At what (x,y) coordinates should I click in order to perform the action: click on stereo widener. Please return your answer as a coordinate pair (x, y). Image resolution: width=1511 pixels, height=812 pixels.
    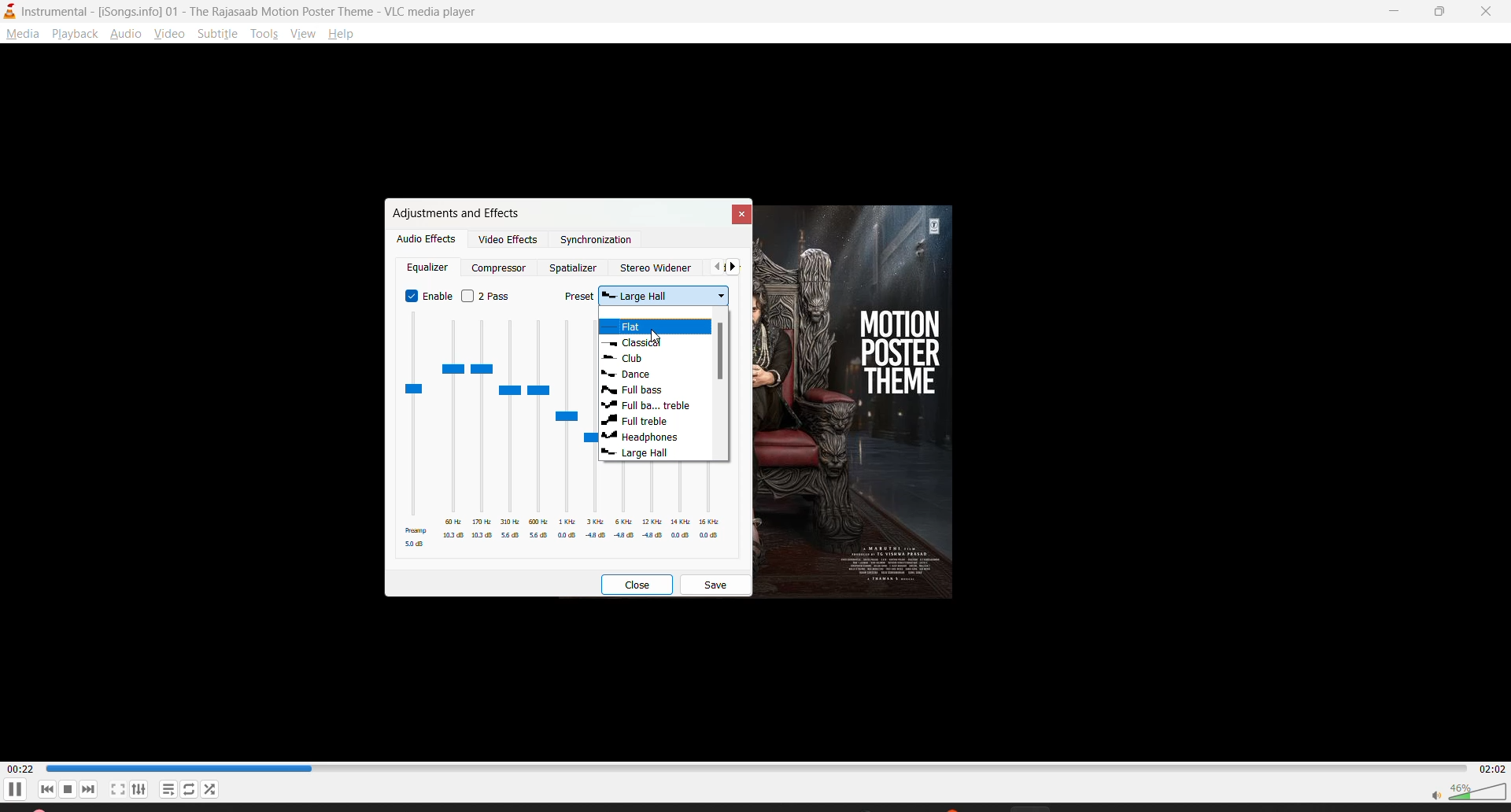
    Looking at the image, I should click on (659, 265).